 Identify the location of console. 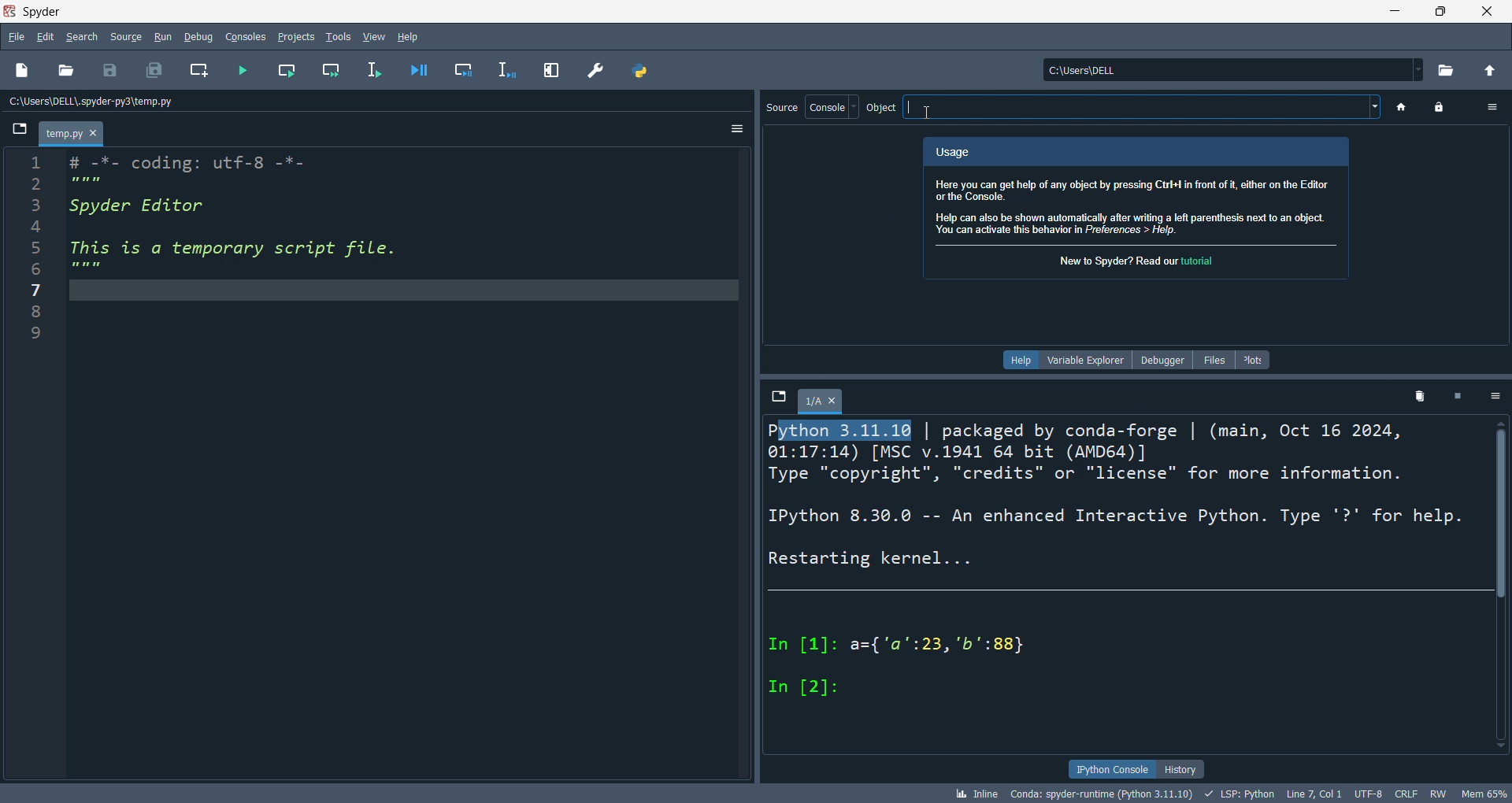
(831, 105).